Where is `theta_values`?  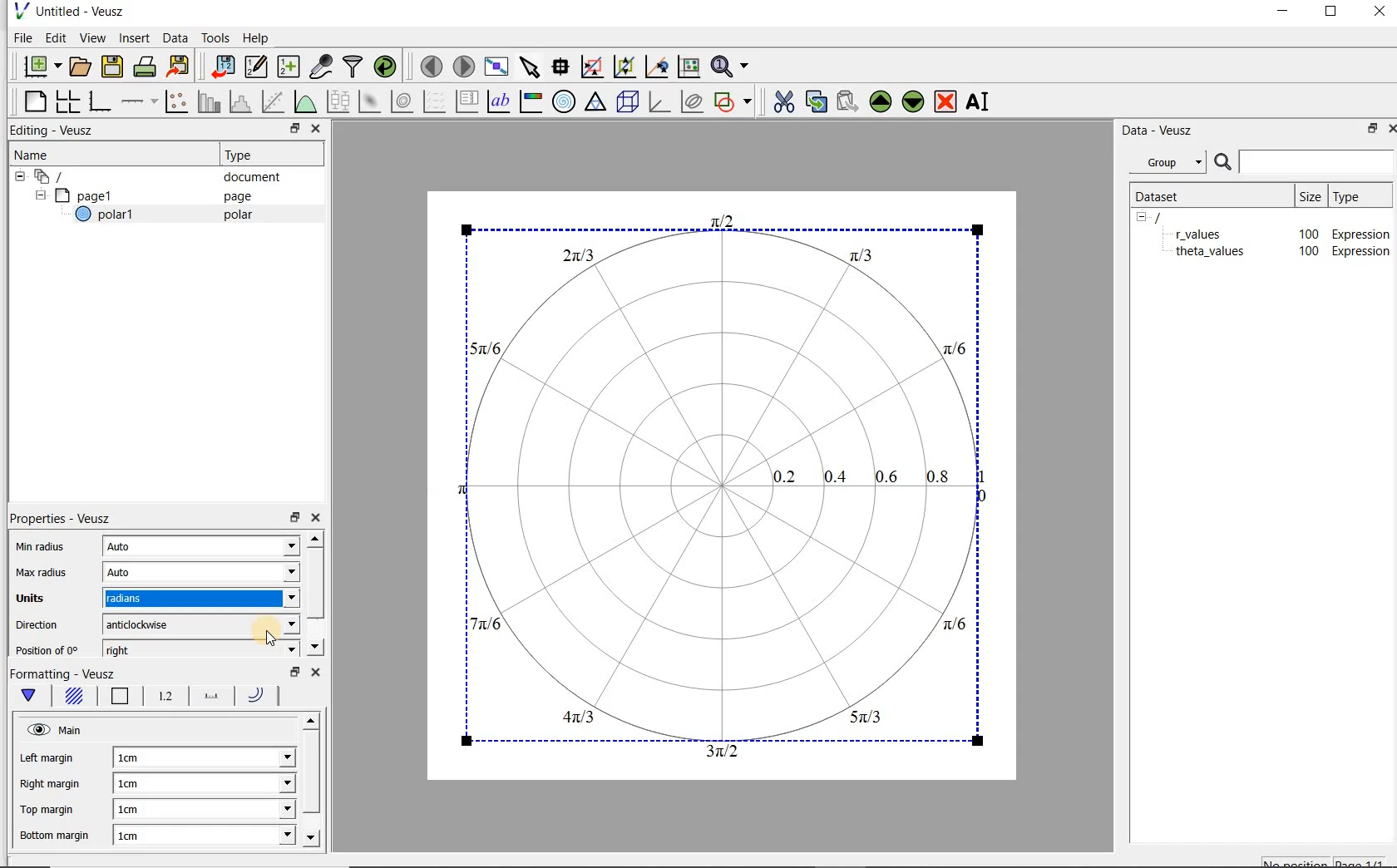
theta_values is located at coordinates (1214, 254).